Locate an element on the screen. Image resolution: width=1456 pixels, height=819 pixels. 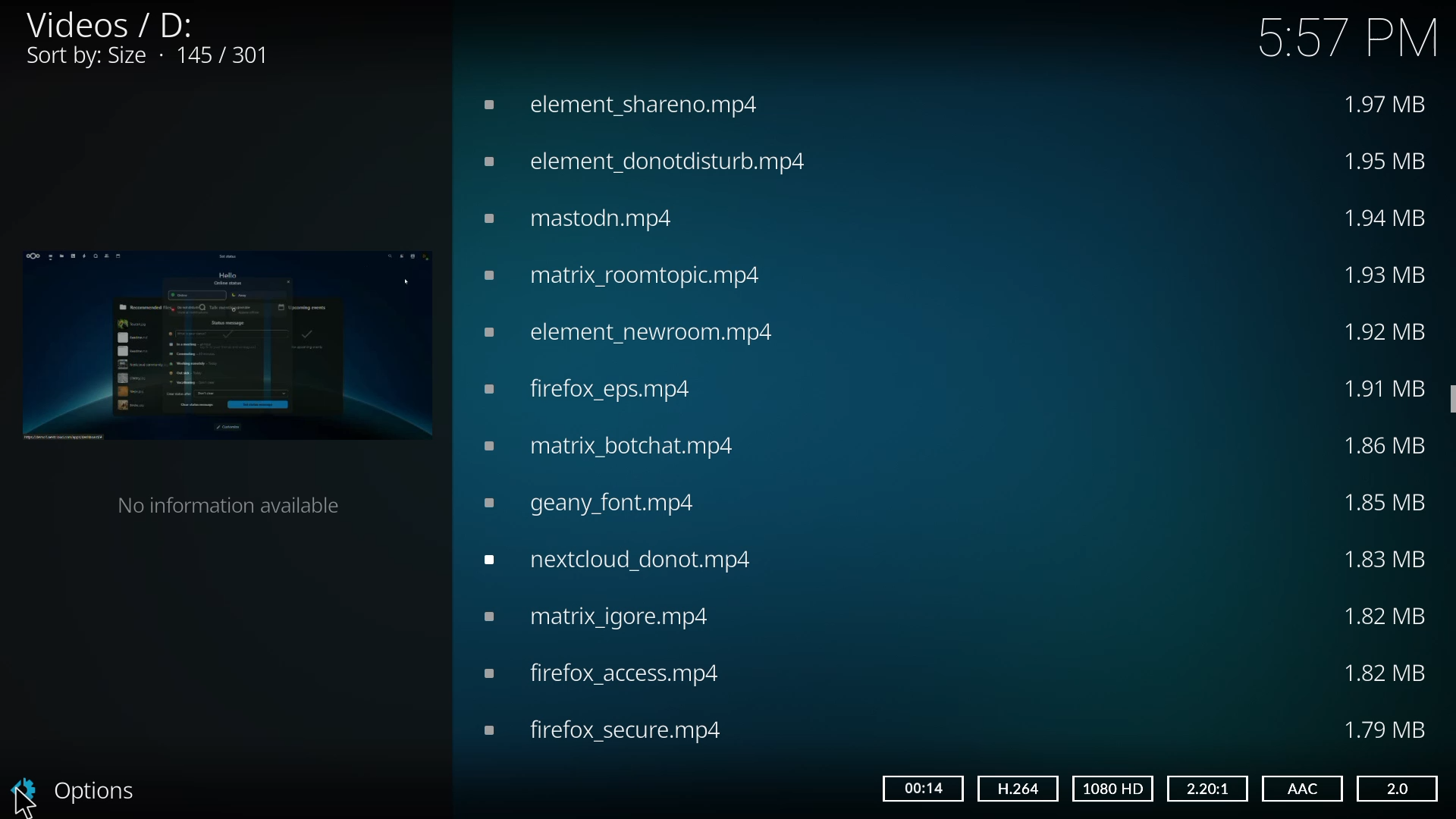
video is located at coordinates (604, 616).